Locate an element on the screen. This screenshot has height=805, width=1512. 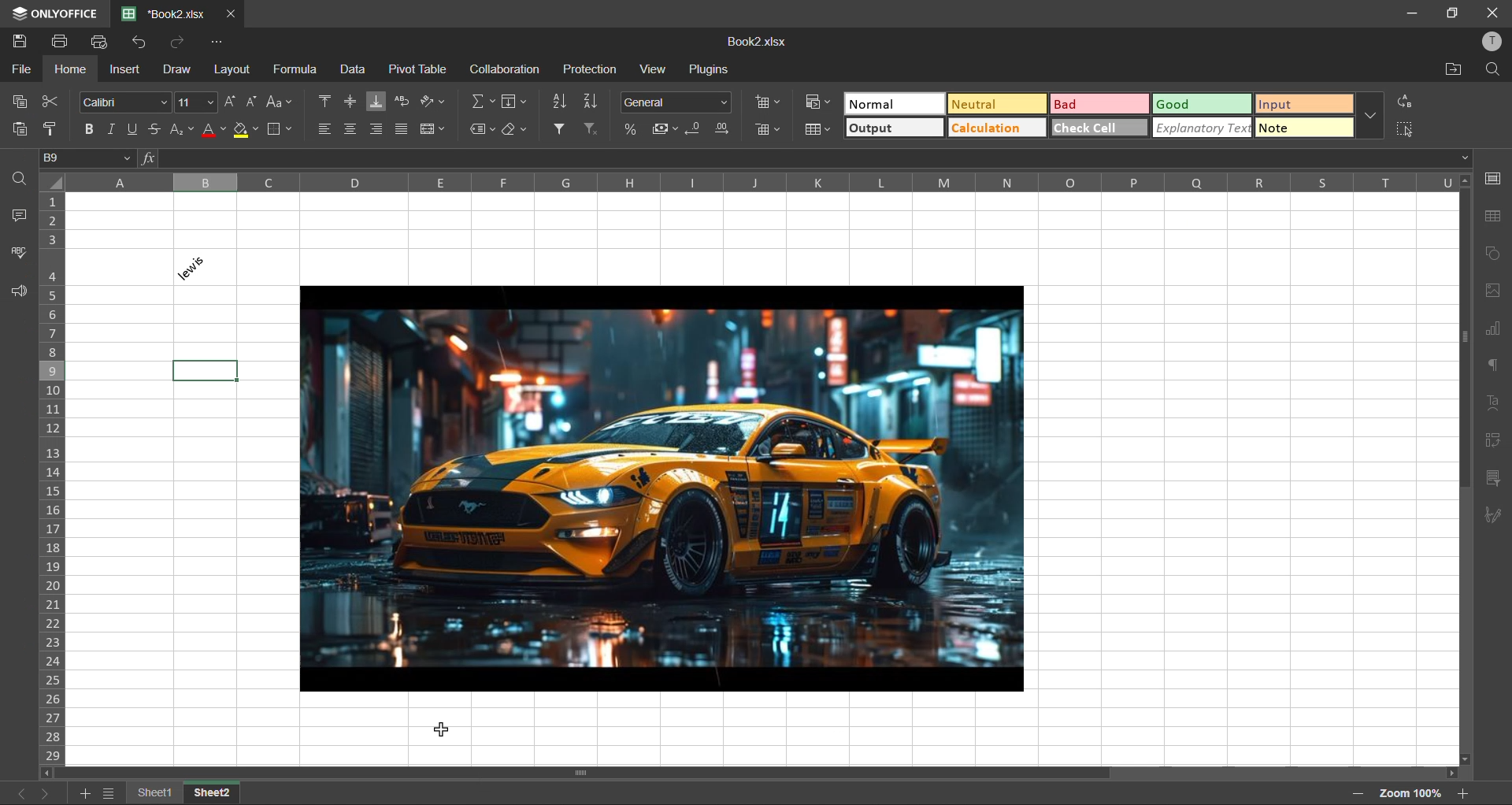
fx is located at coordinates (148, 158).